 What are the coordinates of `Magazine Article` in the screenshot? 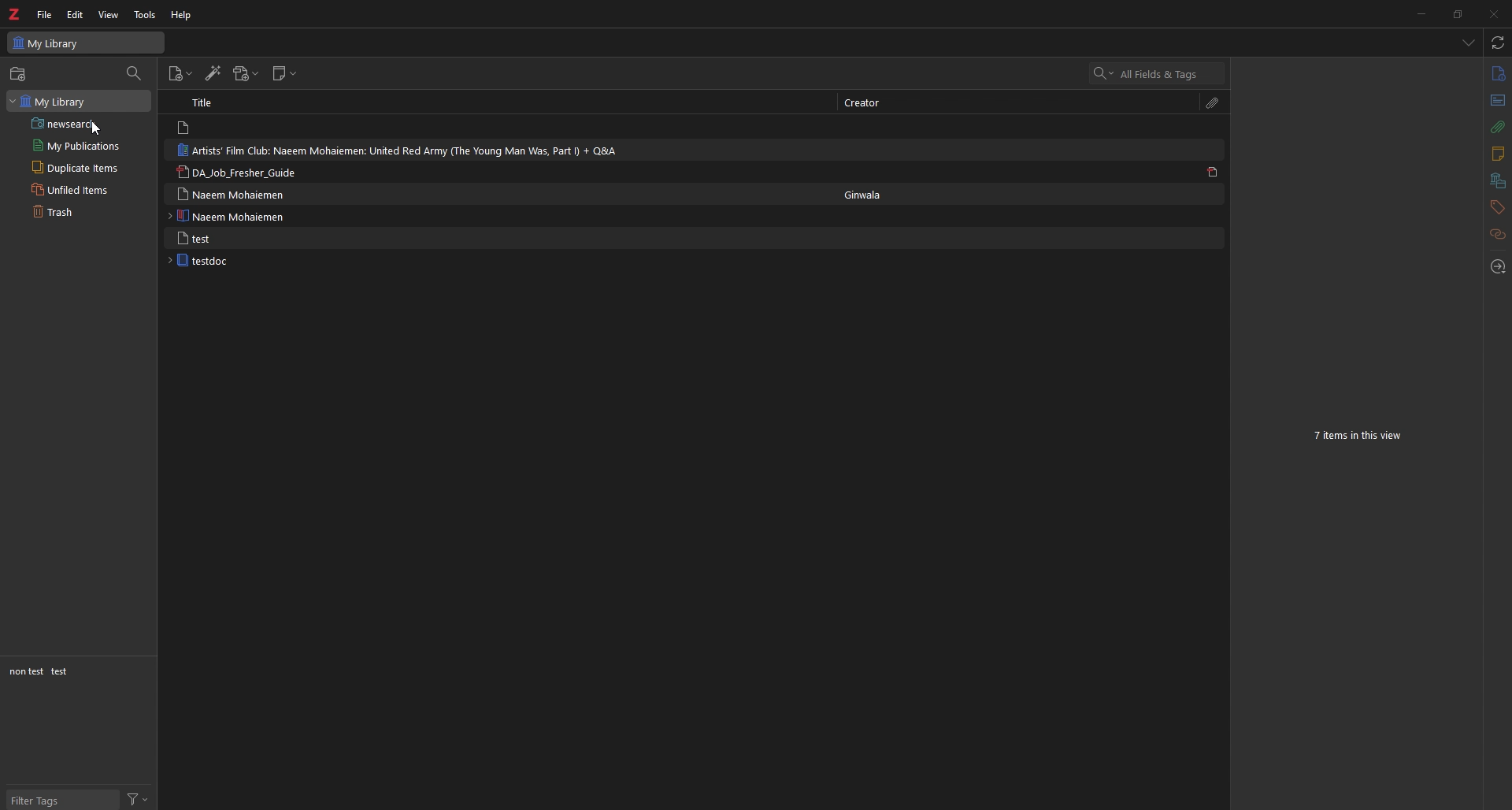 It's located at (396, 151).